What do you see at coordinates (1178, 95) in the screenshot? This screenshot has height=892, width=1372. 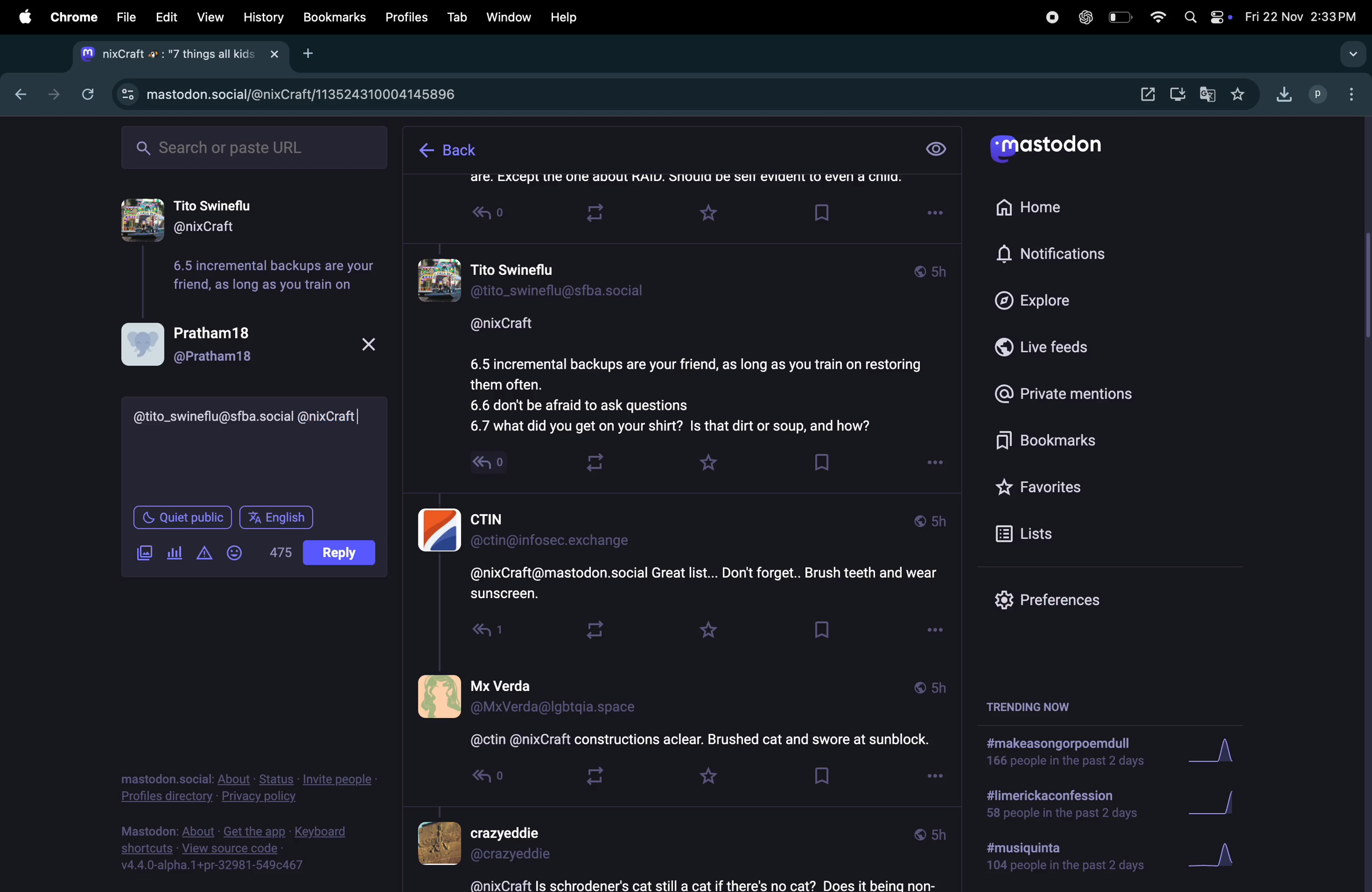 I see `download` at bounding box center [1178, 95].